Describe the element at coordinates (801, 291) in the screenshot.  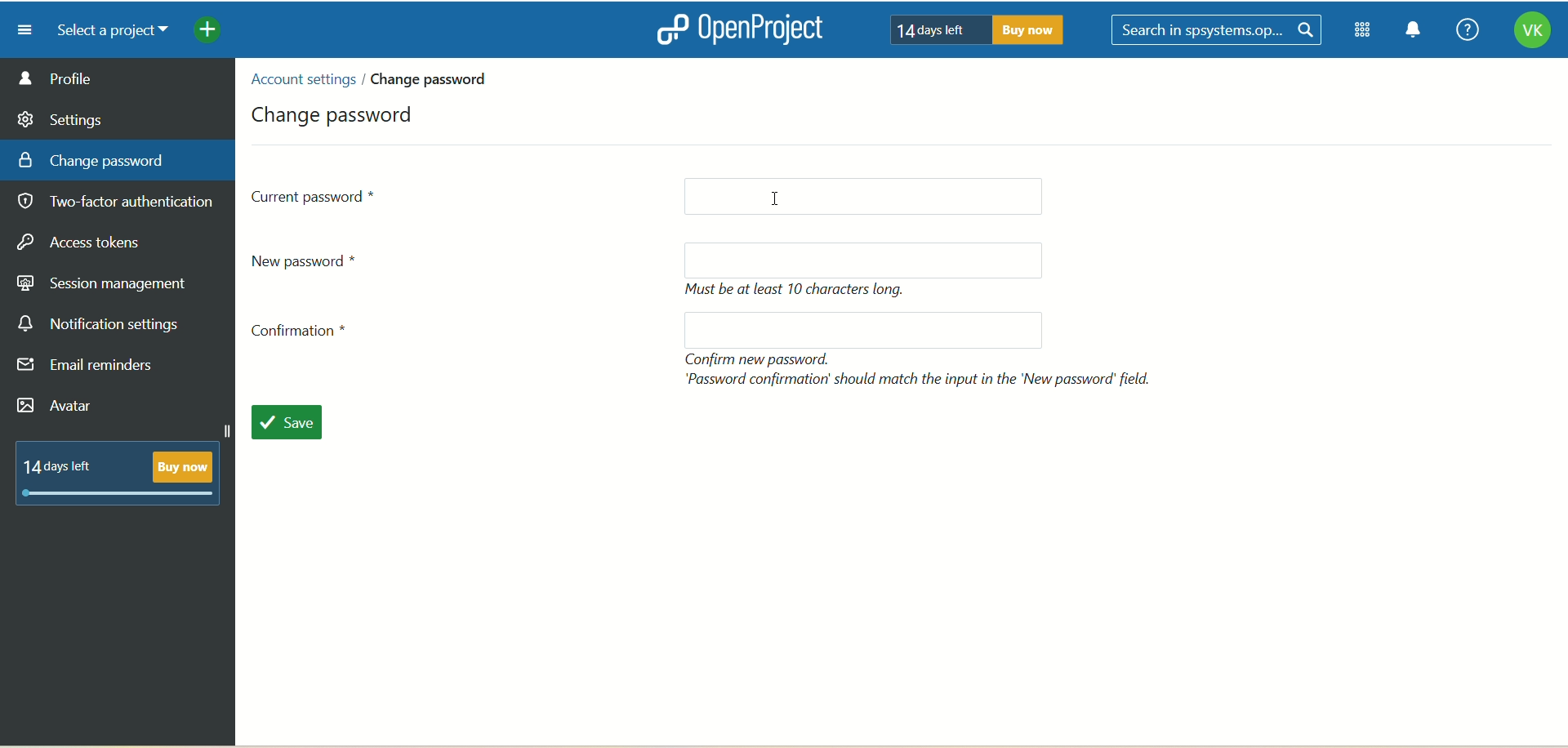
I see `text` at that location.